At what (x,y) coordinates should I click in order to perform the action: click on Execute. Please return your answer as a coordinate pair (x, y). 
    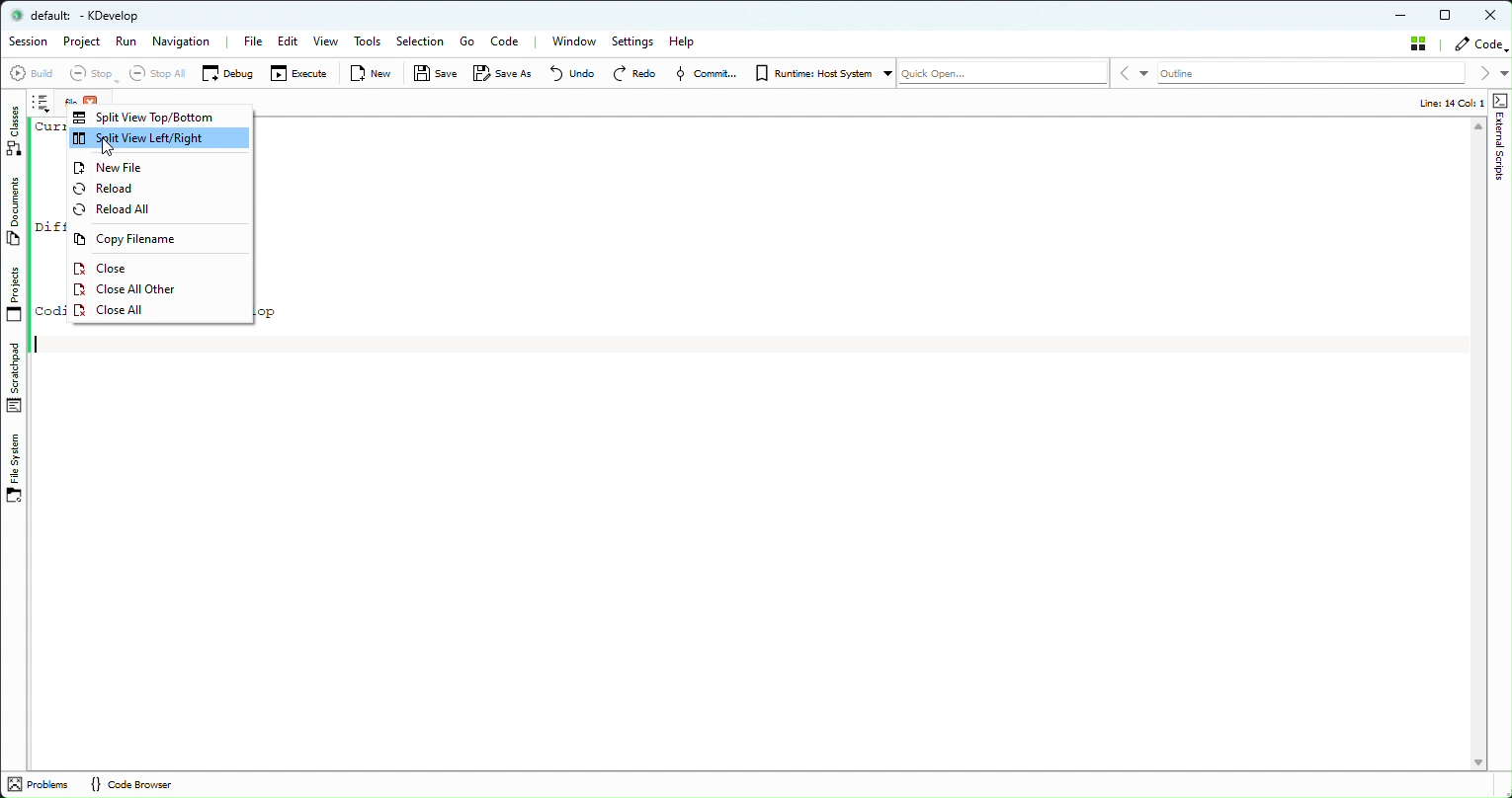
    Looking at the image, I should click on (304, 74).